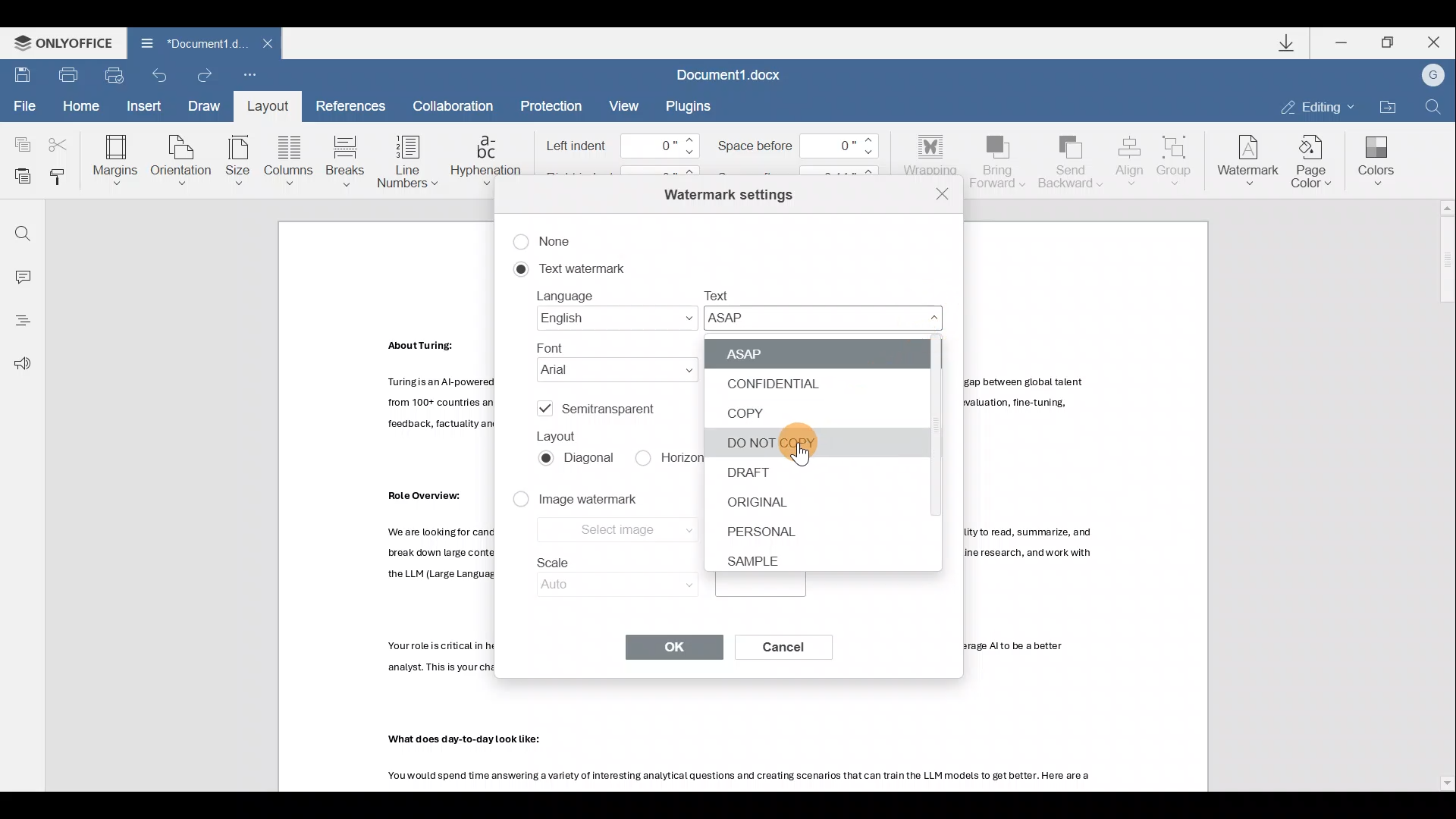  I want to click on Customize quick access toolbar, so click(246, 76).